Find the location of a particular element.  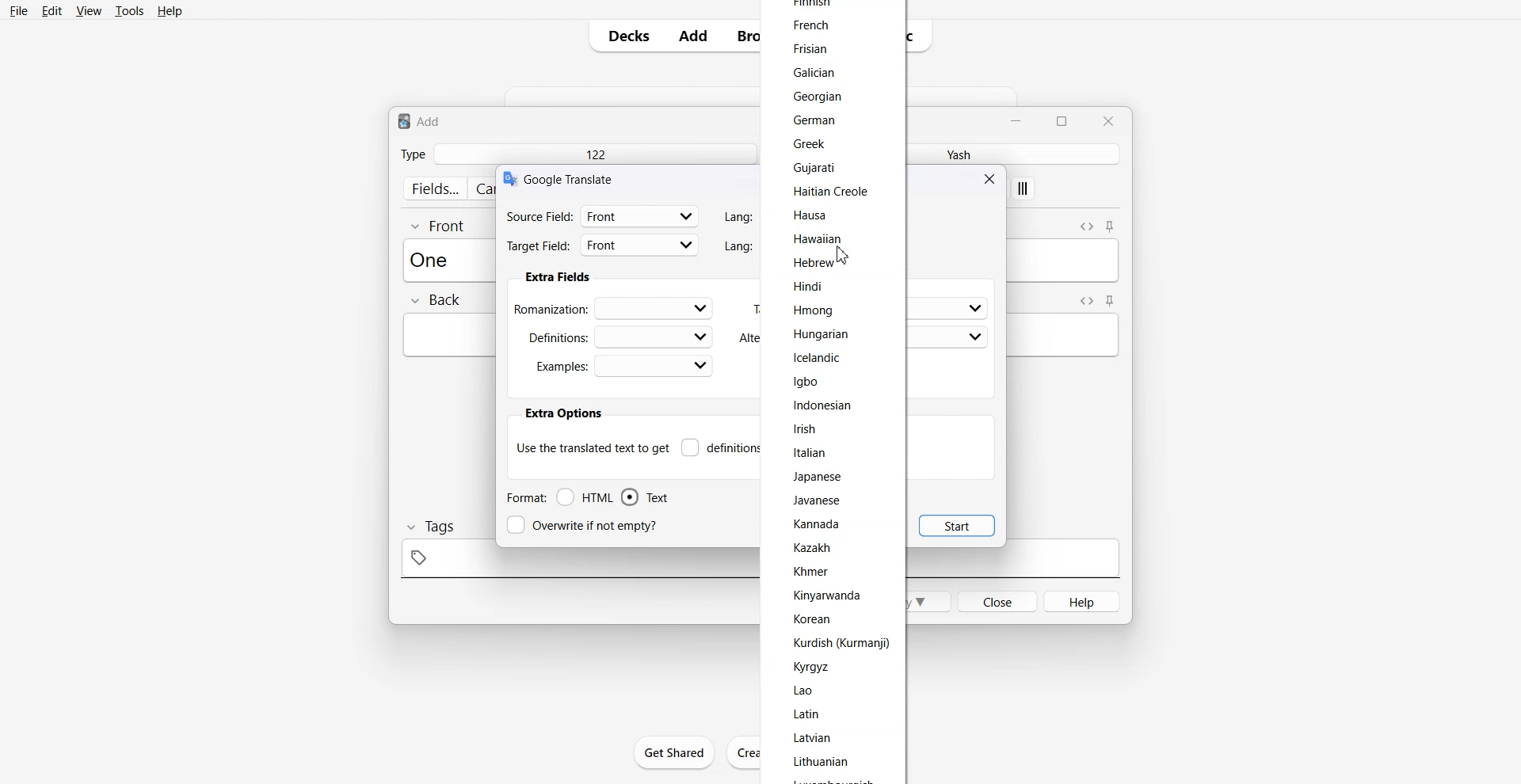

Edit is located at coordinates (51, 10).